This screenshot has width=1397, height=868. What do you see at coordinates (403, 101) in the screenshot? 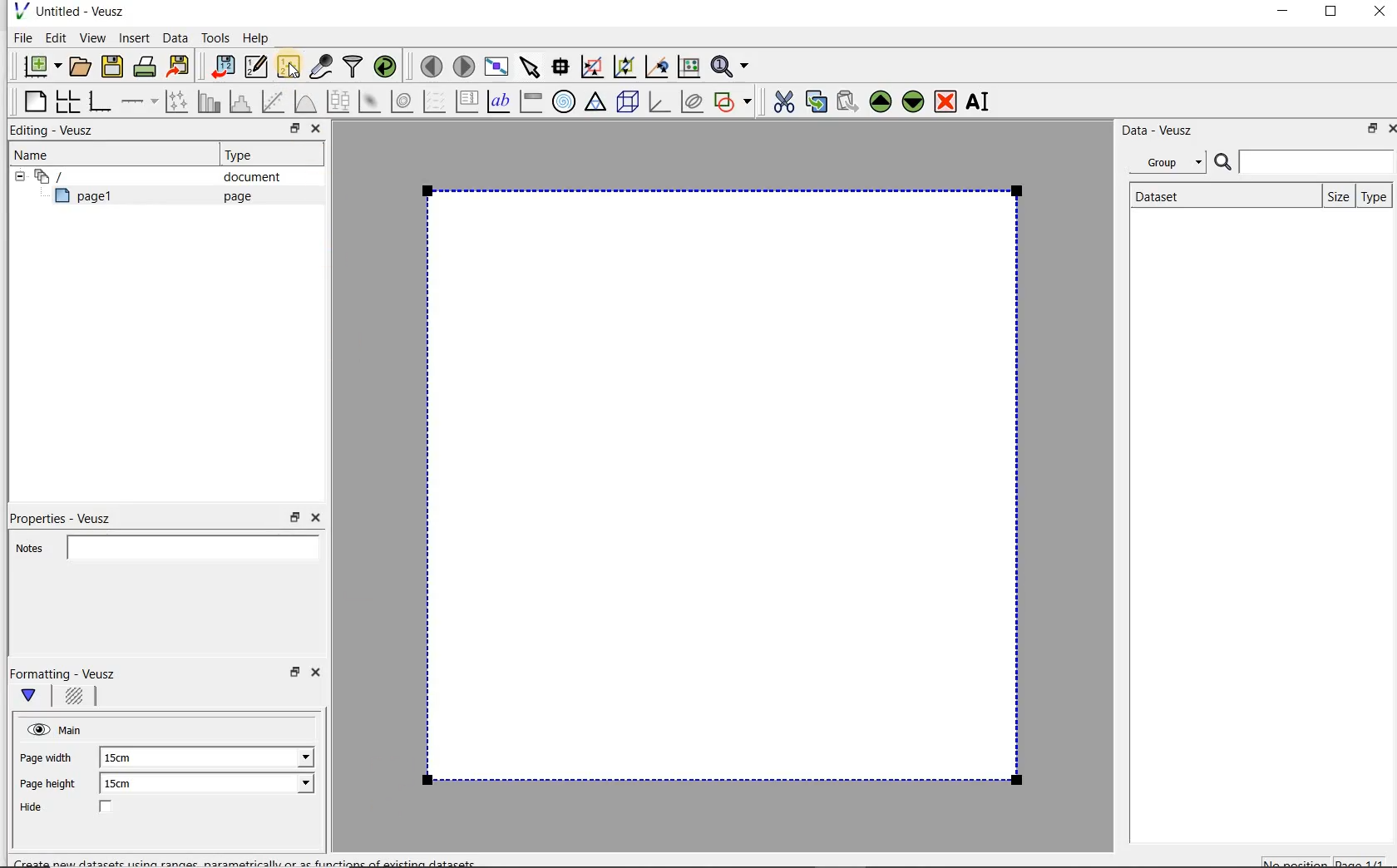
I see `plot a 2d dataset as contours` at bounding box center [403, 101].